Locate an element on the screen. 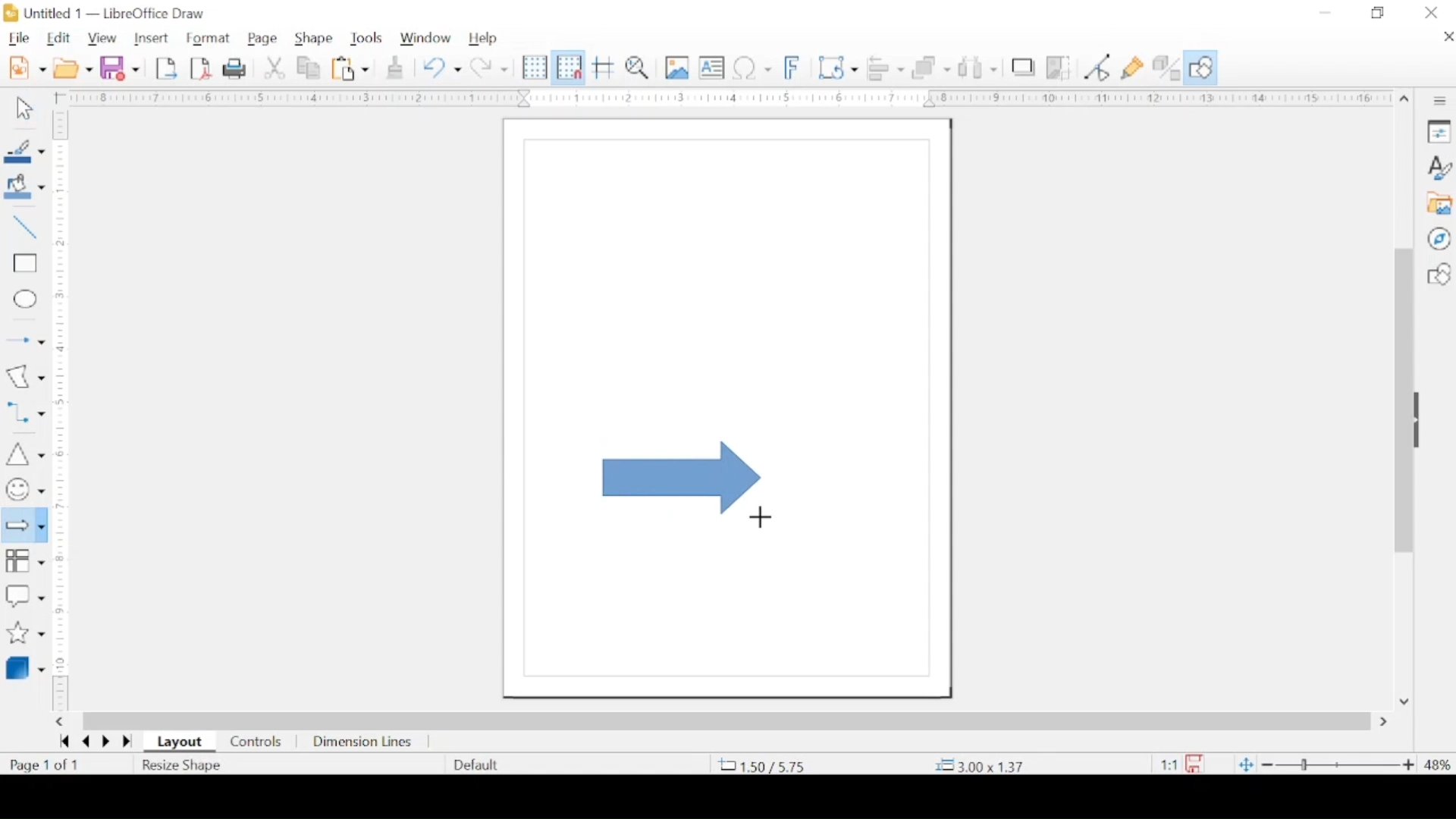 The width and height of the screenshot is (1456, 819). shape is located at coordinates (314, 39).